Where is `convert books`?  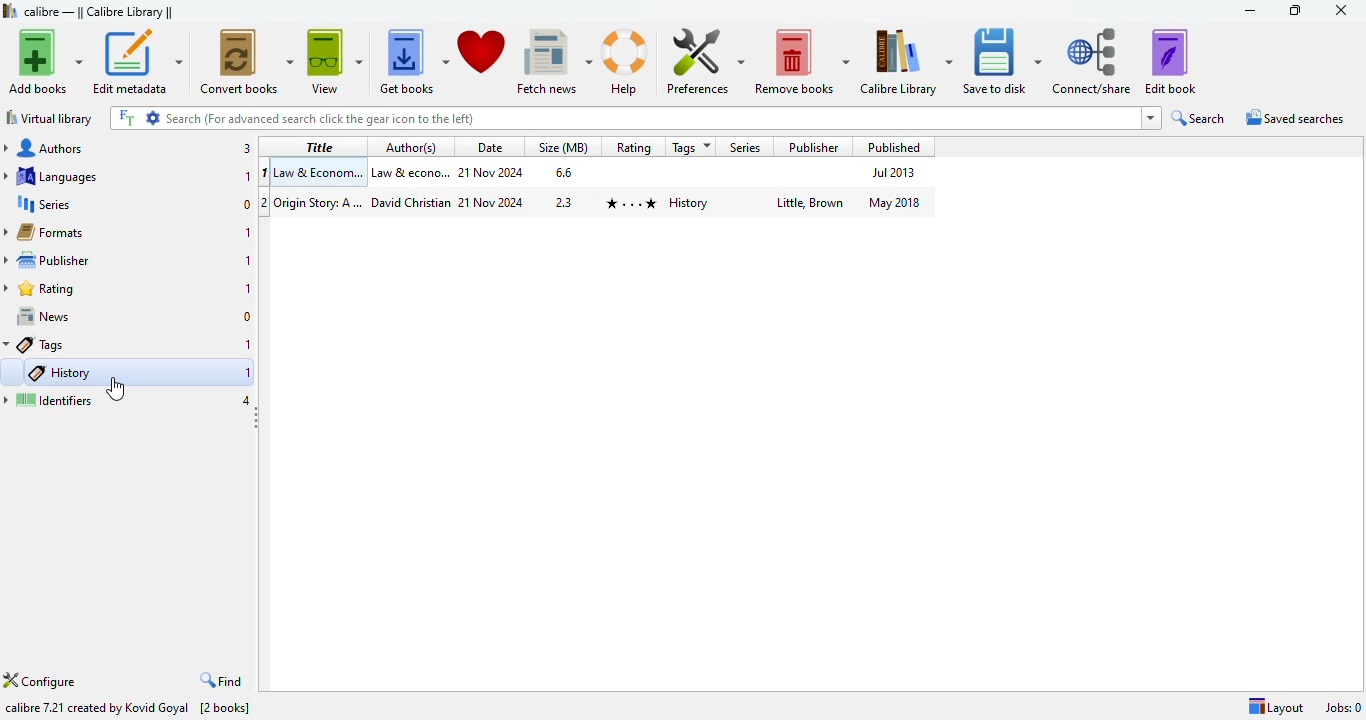
convert books is located at coordinates (245, 62).